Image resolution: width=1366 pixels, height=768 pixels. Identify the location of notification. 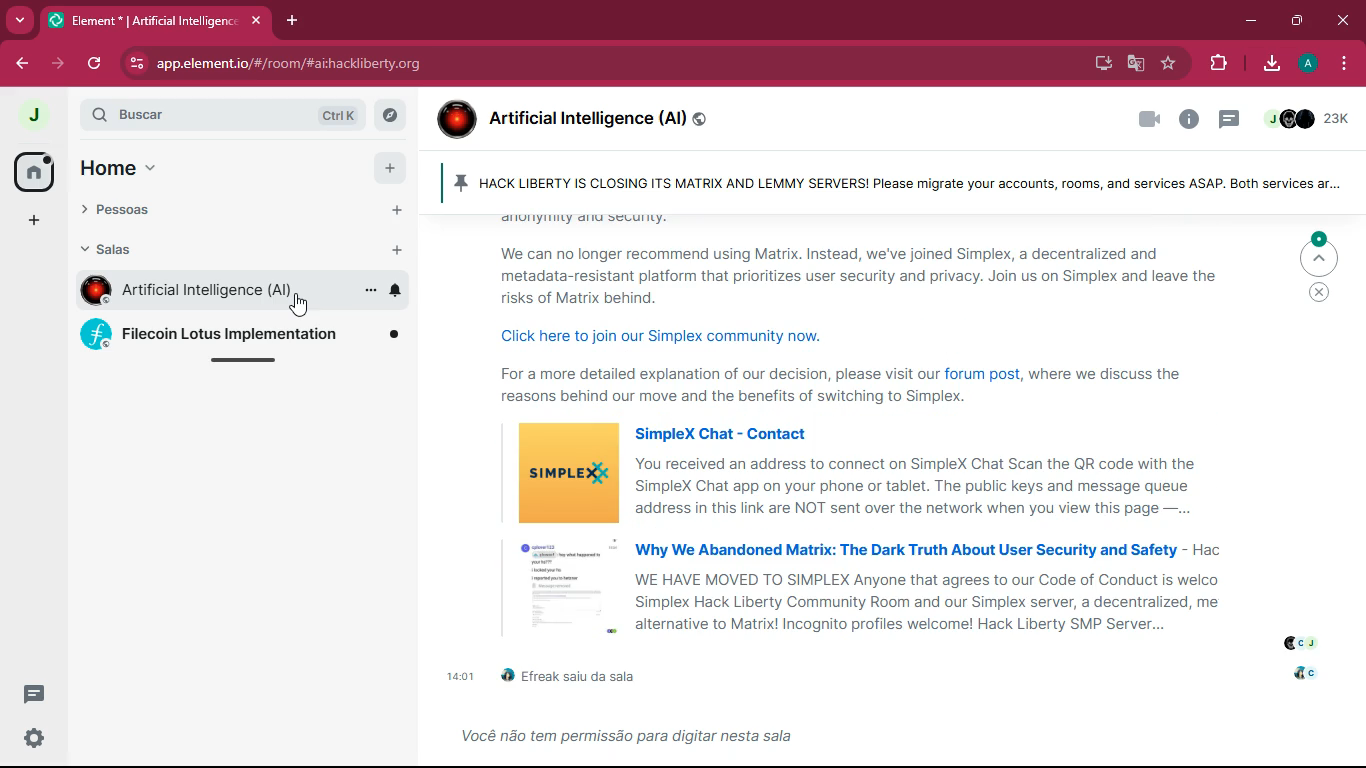
(396, 291).